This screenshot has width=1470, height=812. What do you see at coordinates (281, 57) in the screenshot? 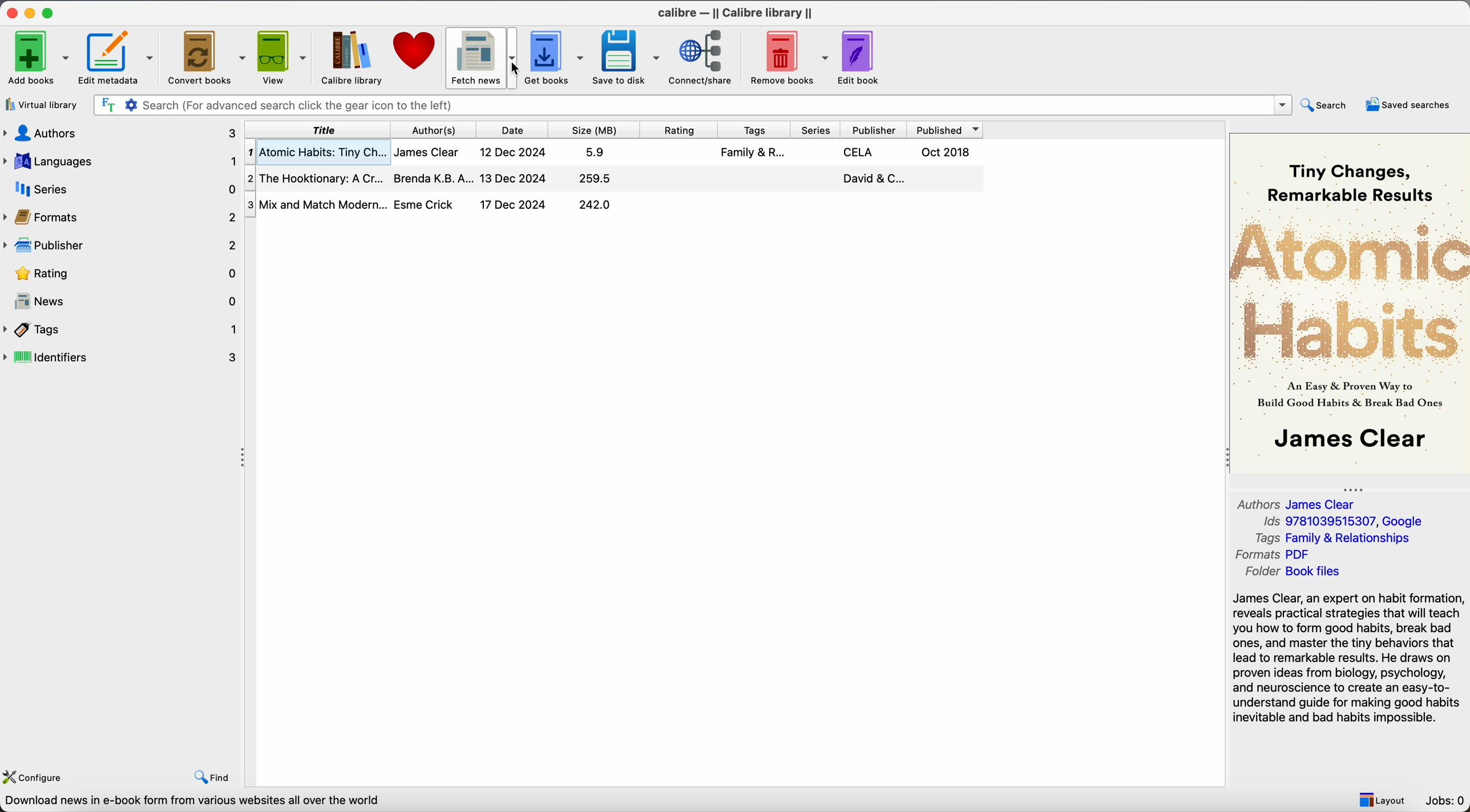
I see `view` at bounding box center [281, 57].